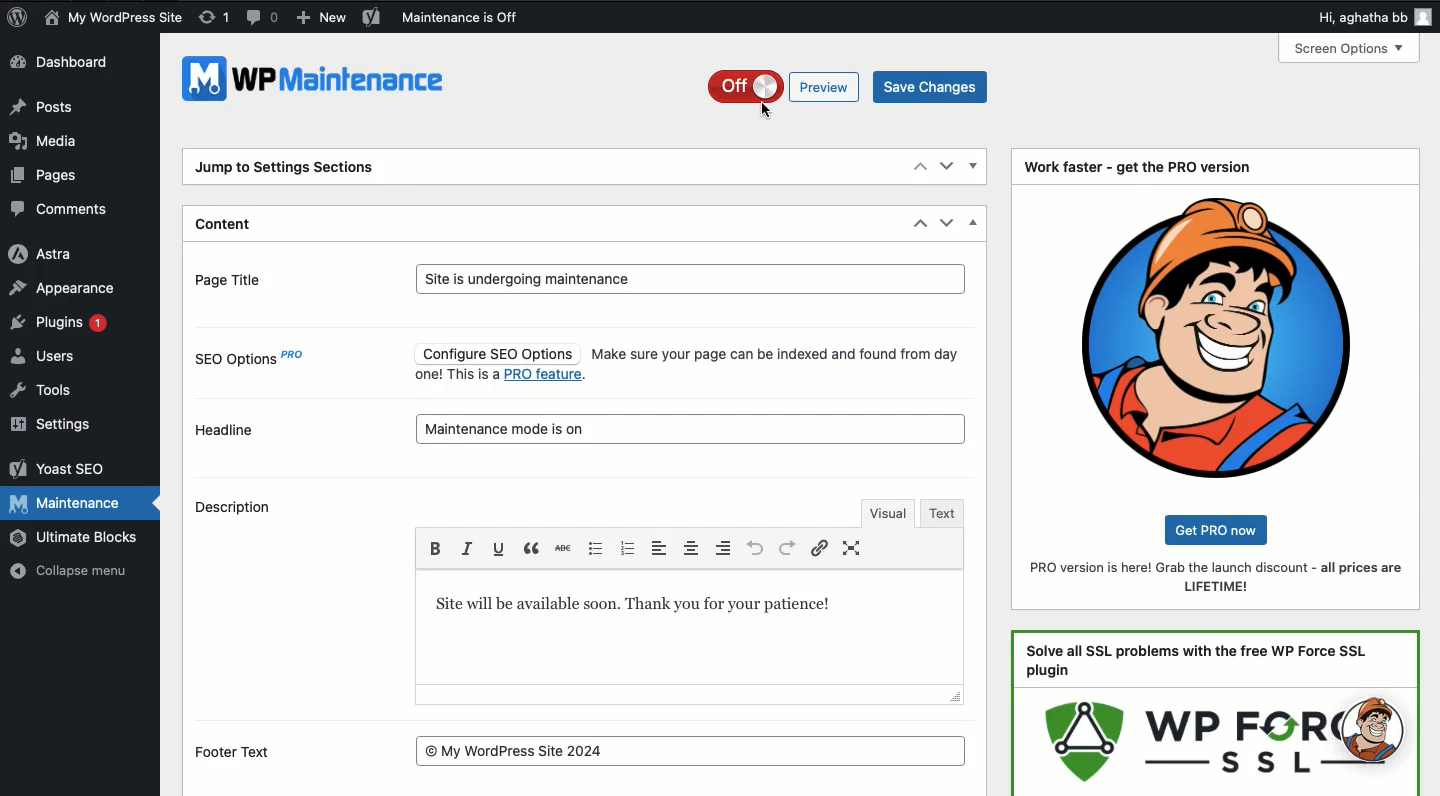 This screenshot has width=1440, height=796. What do you see at coordinates (626, 550) in the screenshot?
I see `Numbered bullet` at bounding box center [626, 550].